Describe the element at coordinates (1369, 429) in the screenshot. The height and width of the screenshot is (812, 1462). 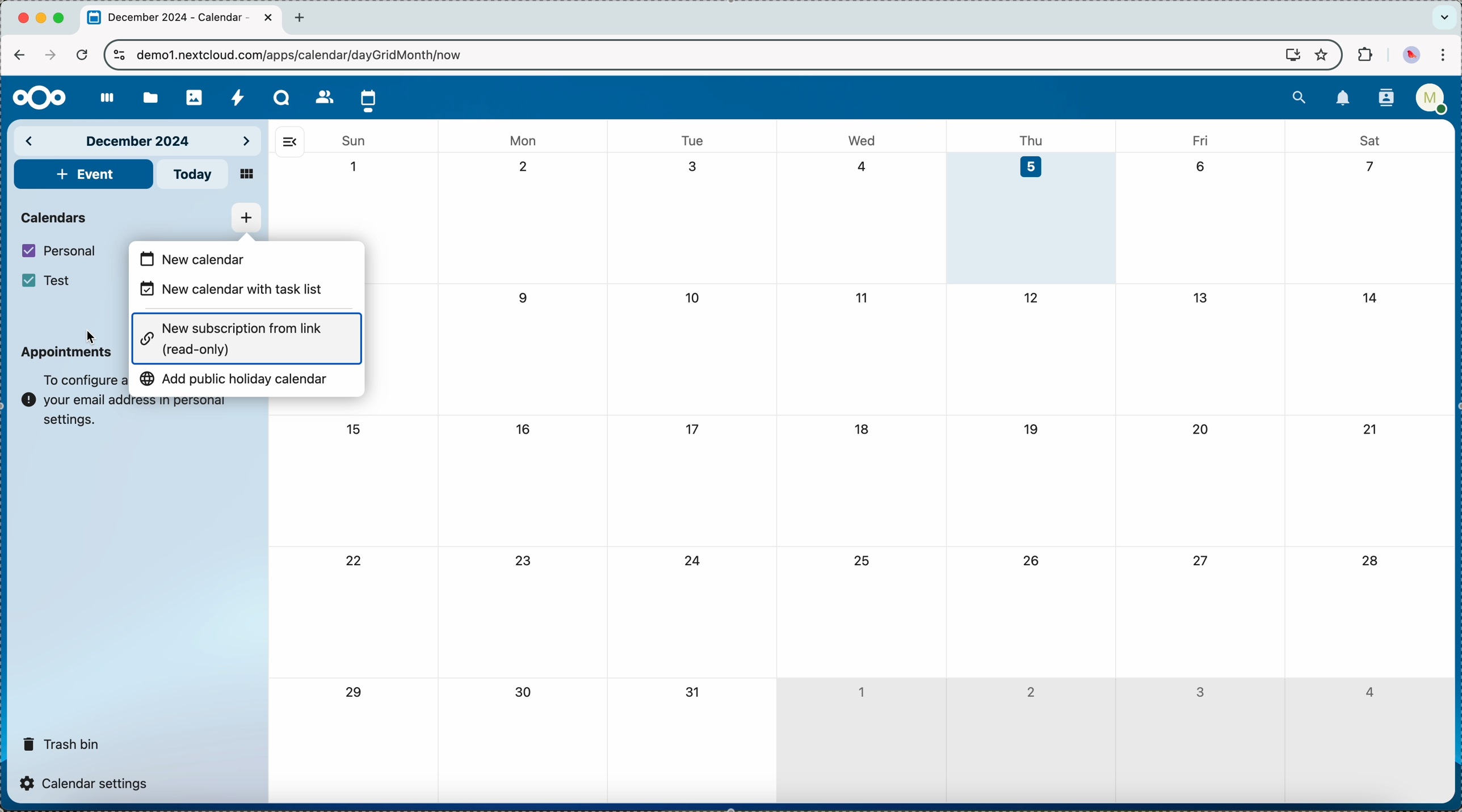
I see `21` at that location.